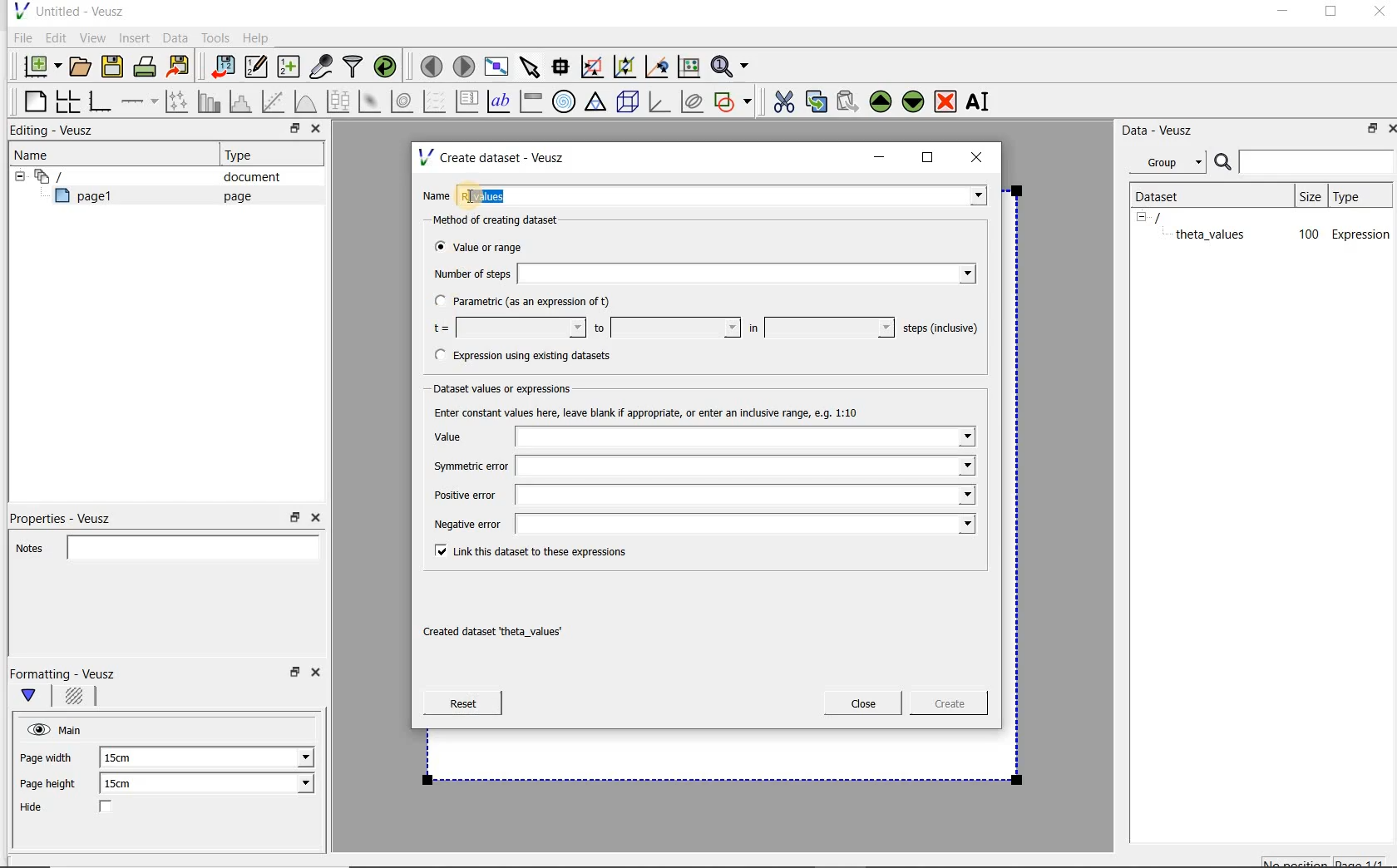 The height and width of the screenshot is (868, 1397). What do you see at coordinates (32, 99) in the screenshot?
I see `blank page` at bounding box center [32, 99].